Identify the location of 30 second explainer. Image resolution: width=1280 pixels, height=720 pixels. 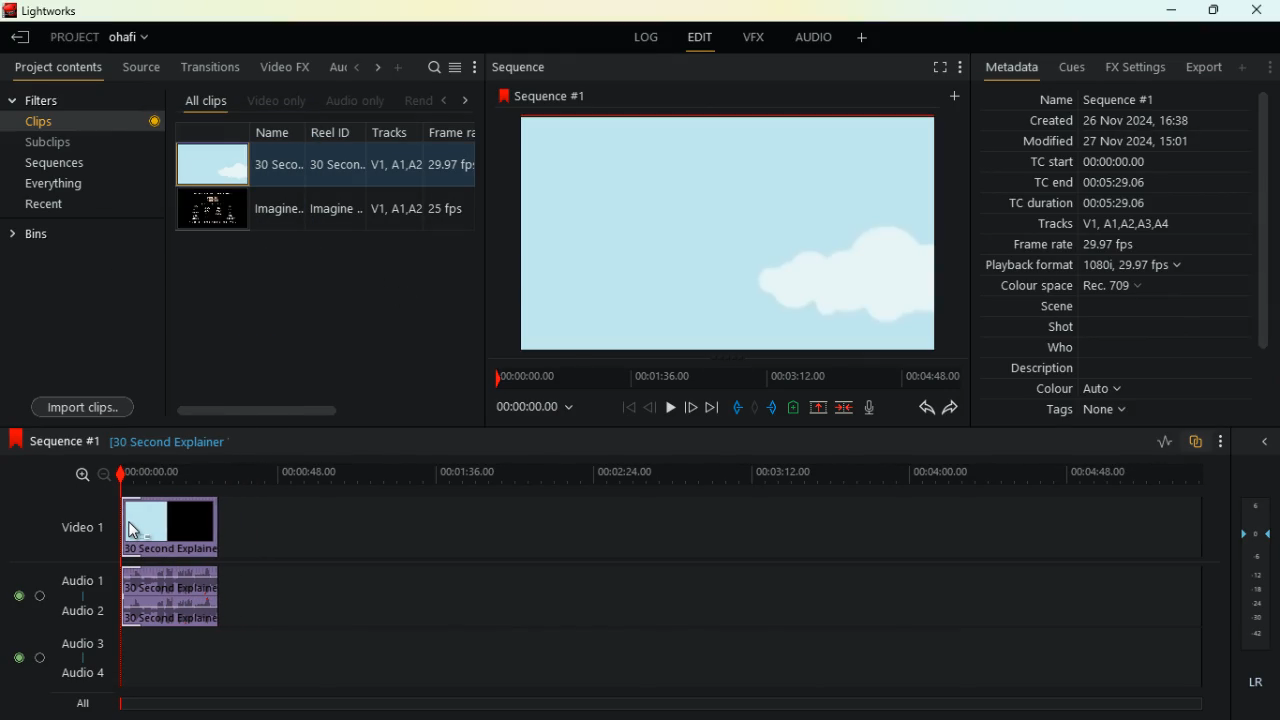
(171, 440).